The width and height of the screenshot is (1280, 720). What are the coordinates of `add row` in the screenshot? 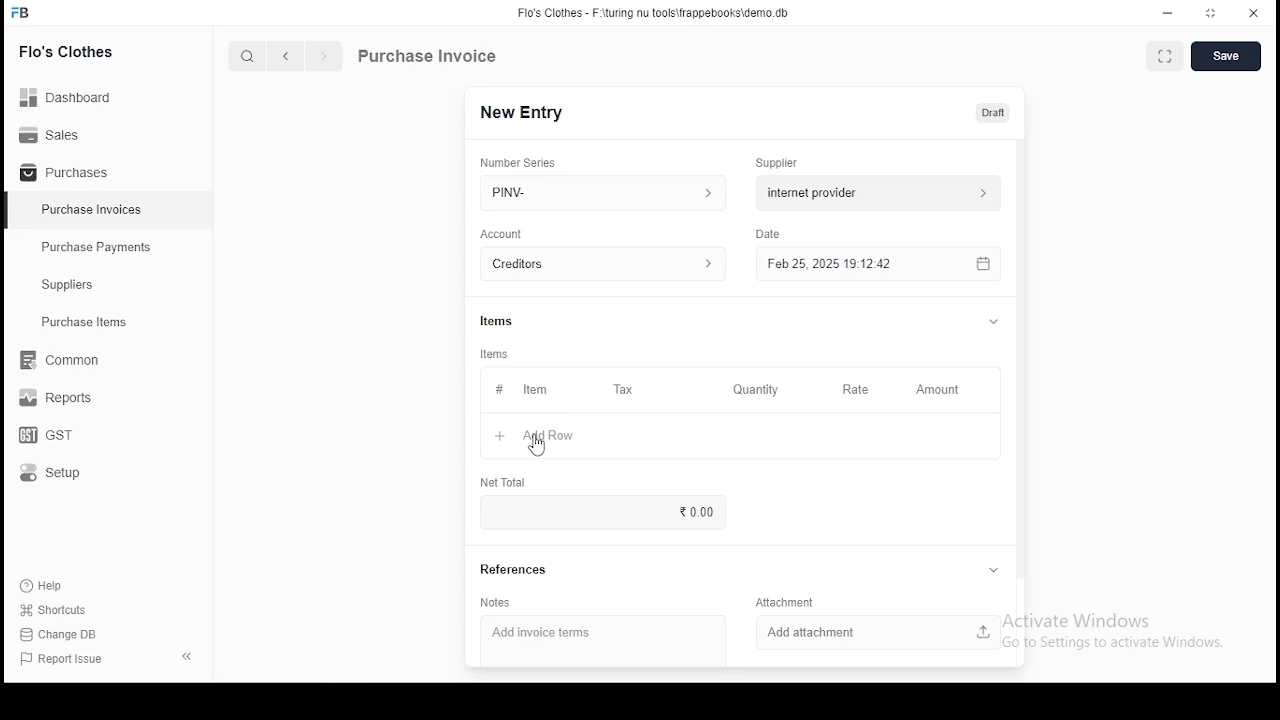 It's located at (551, 436).